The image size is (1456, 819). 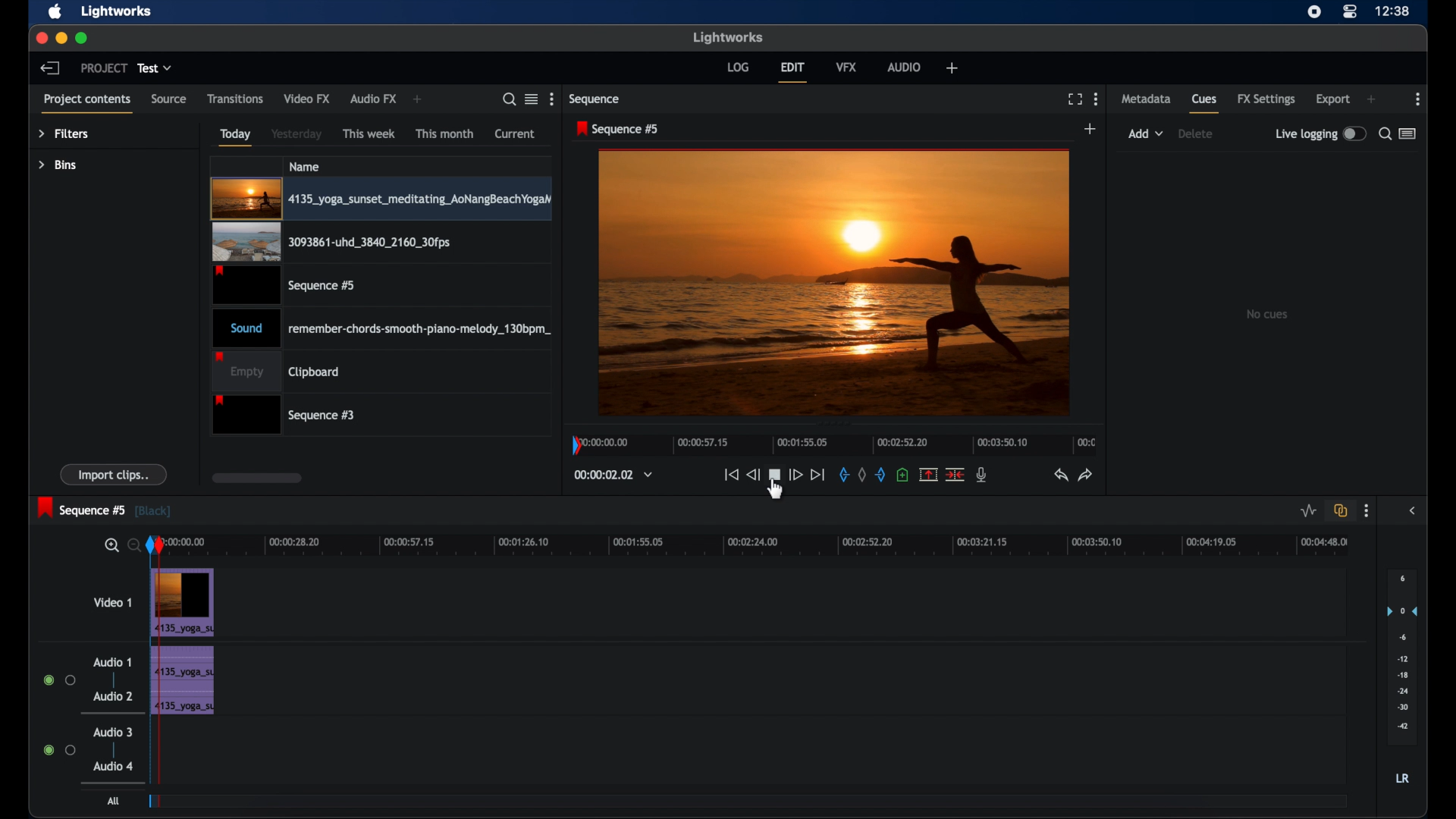 I want to click on mic, so click(x=983, y=475).